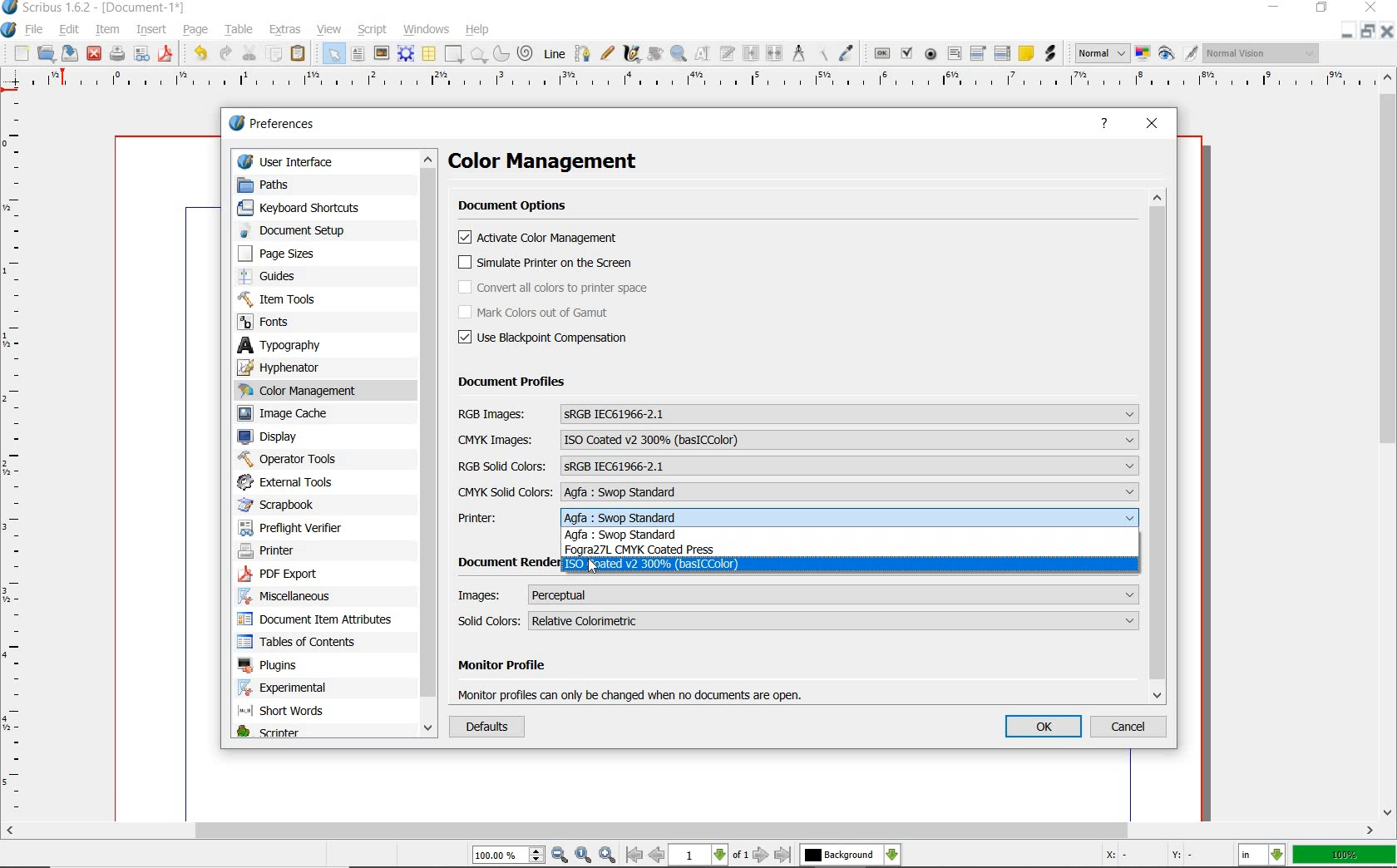 The width and height of the screenshot is (1397, 868). What do you see at coordinates (304, 527) in the screenshot?
I see `preflight verifier` at bounding box center [304, 527].